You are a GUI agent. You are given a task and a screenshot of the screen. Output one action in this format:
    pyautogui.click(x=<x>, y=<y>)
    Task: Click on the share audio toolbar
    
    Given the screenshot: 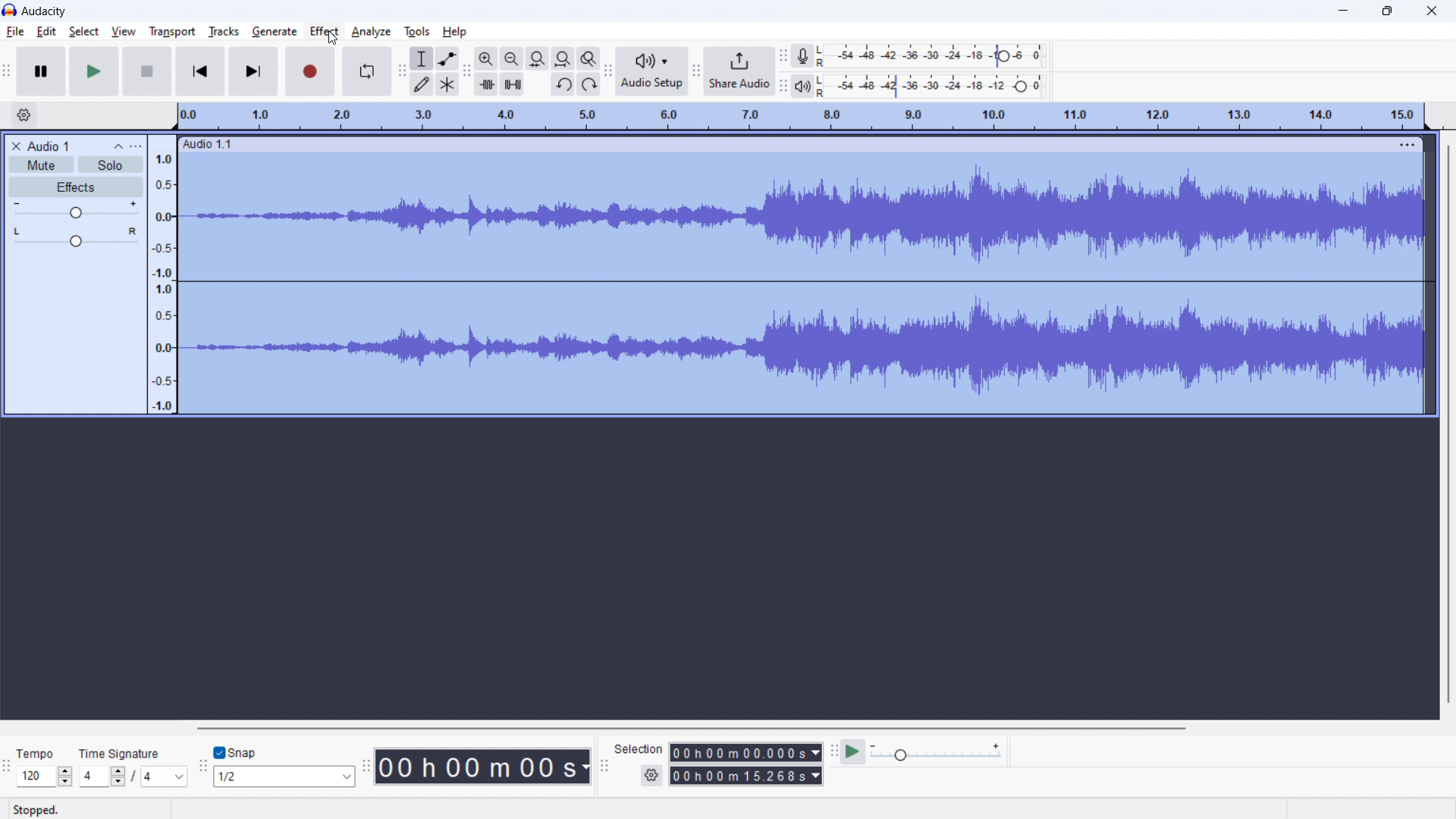 What is the action you would take?
    pyautogui.click(x=696, y=71)
    